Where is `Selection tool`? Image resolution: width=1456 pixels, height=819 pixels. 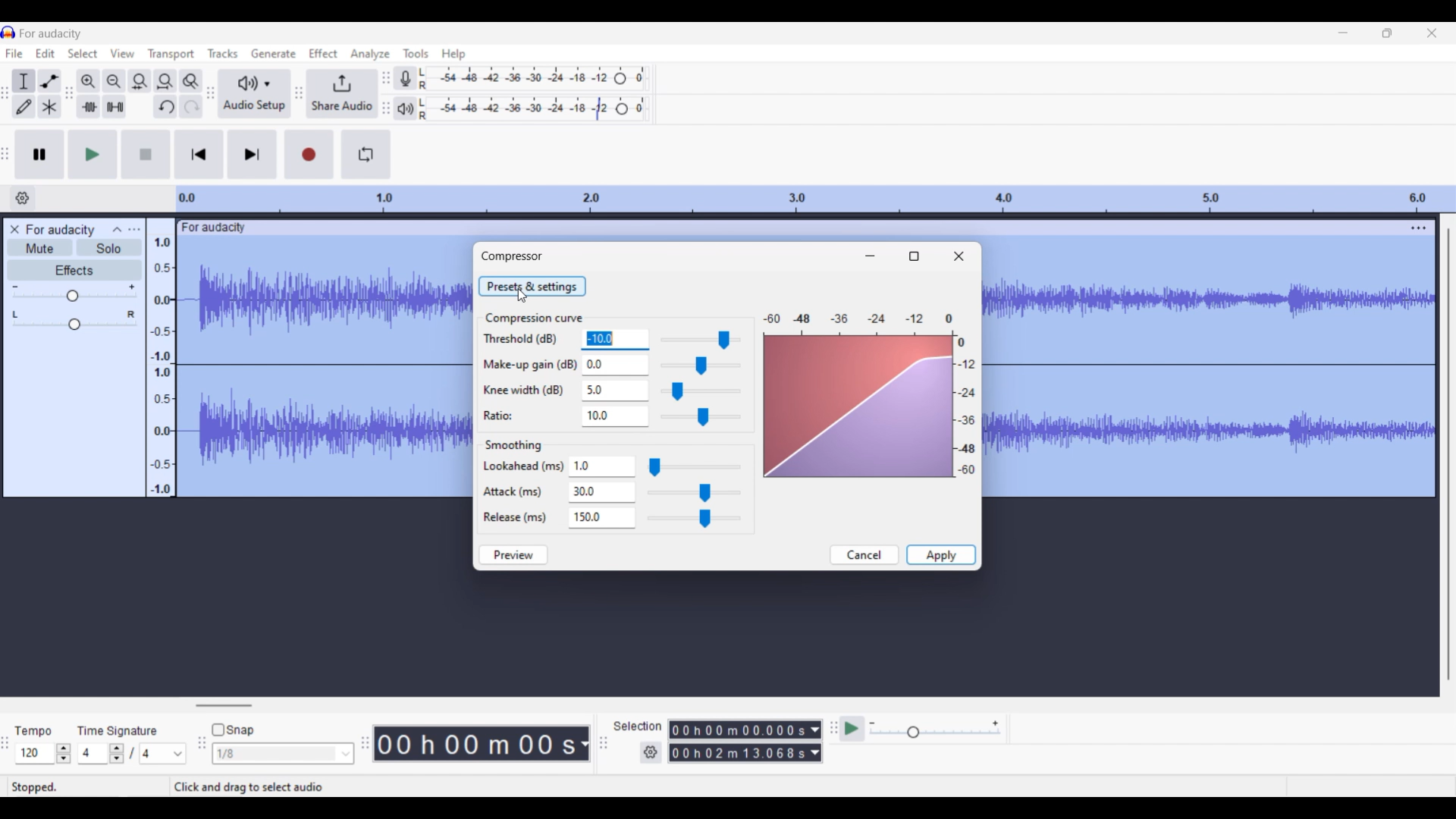
Selection tool is located at coordinates (24, 81).